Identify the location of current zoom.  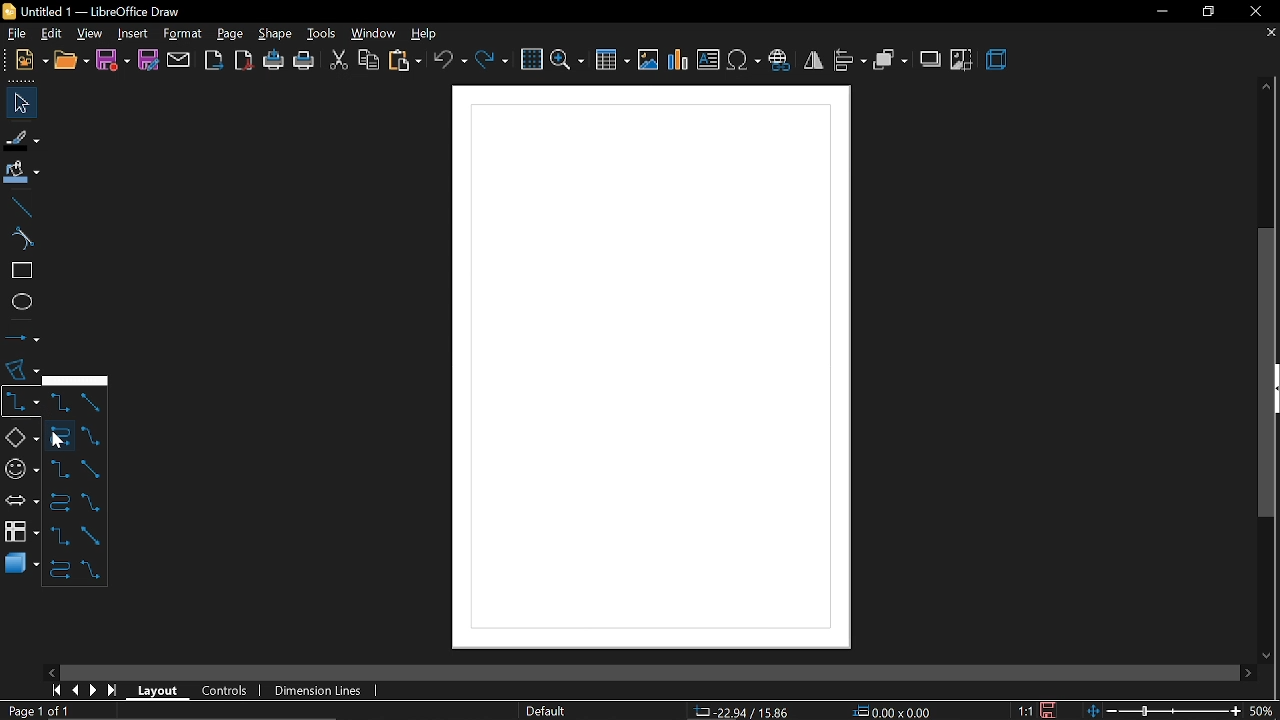
(1264, 711).